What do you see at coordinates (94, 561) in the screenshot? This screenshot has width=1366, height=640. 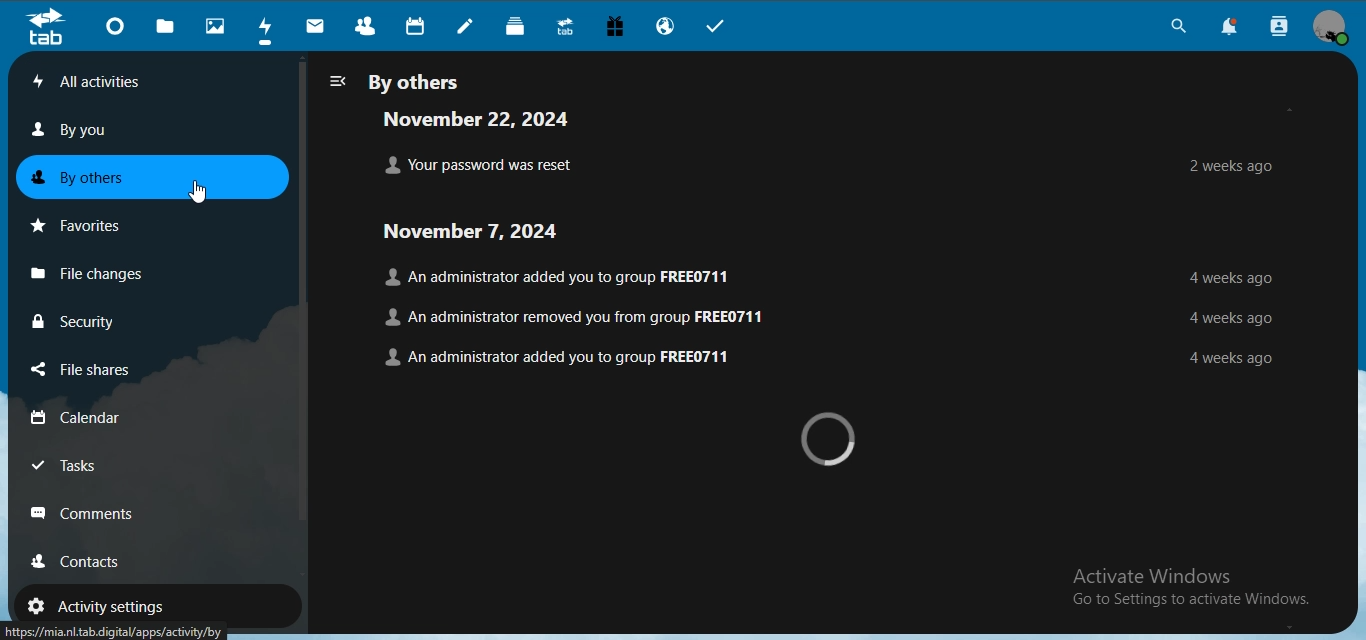 I see `contacts` at bounding box center [94, 561].